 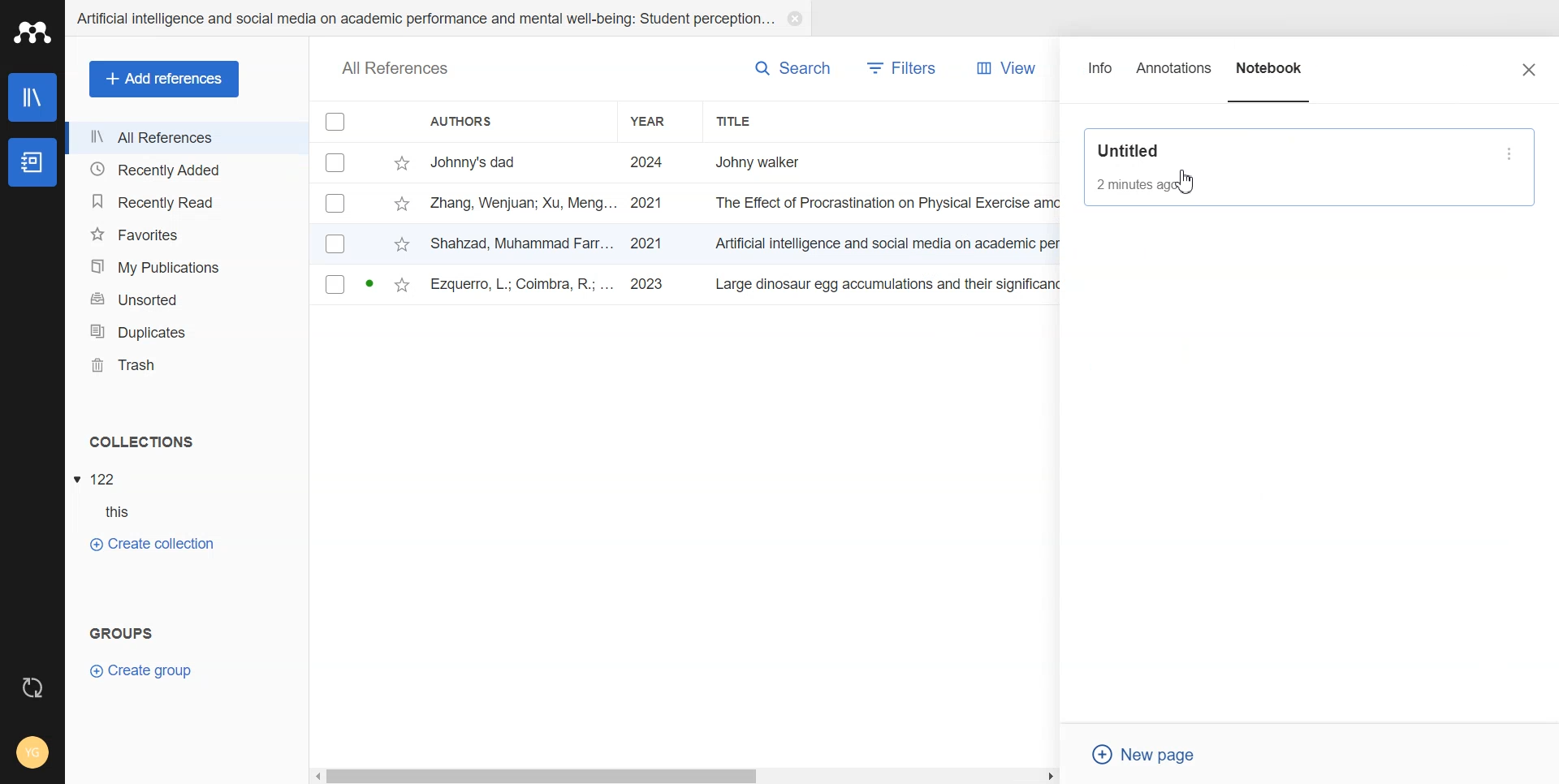 What do you see at coordinates (186, 332) in the screenshot?
I see `Duplicates` at bounding box center [186, 332].